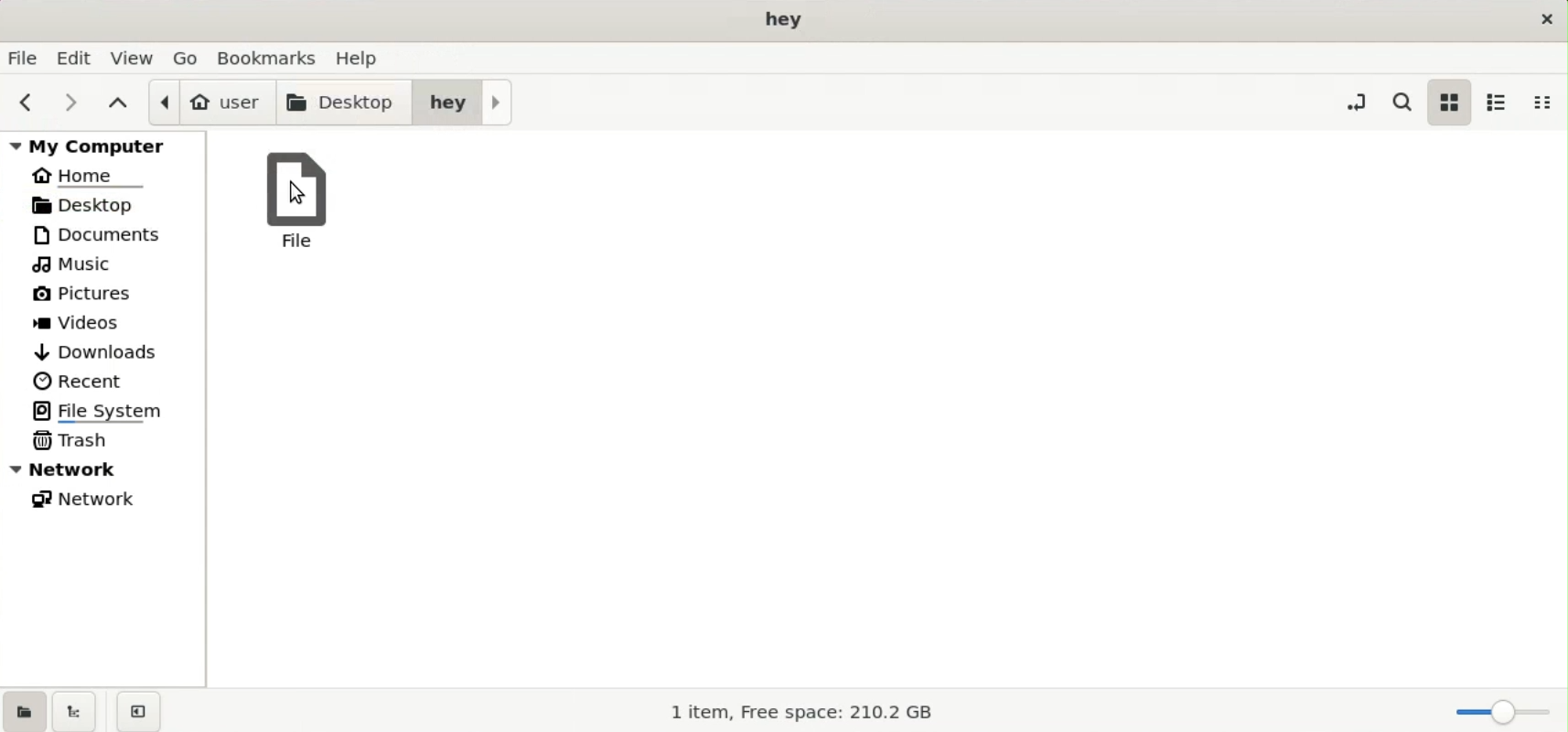  What do you see at coordinates (91, 297) in the screenshot?
I see `pictures` at bounding box center [91, 297].